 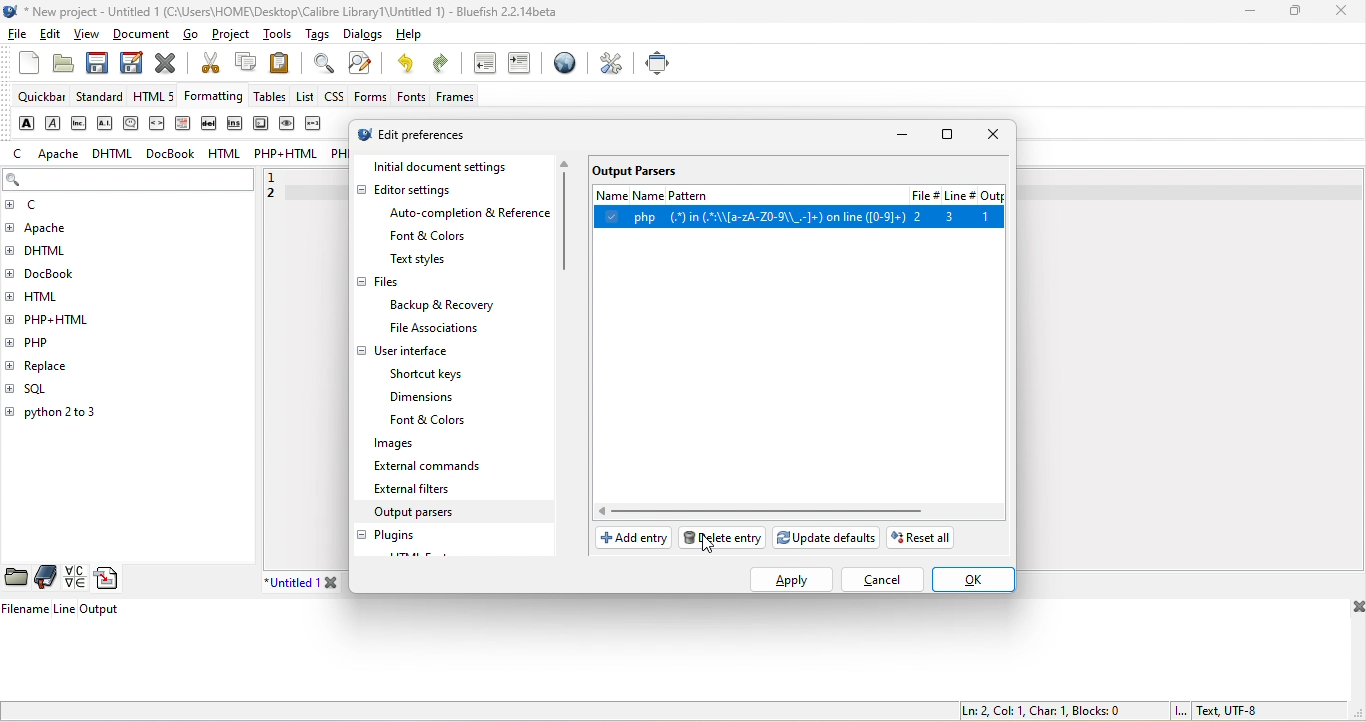 I want to click on name pattern, so click(x=744, y=193).